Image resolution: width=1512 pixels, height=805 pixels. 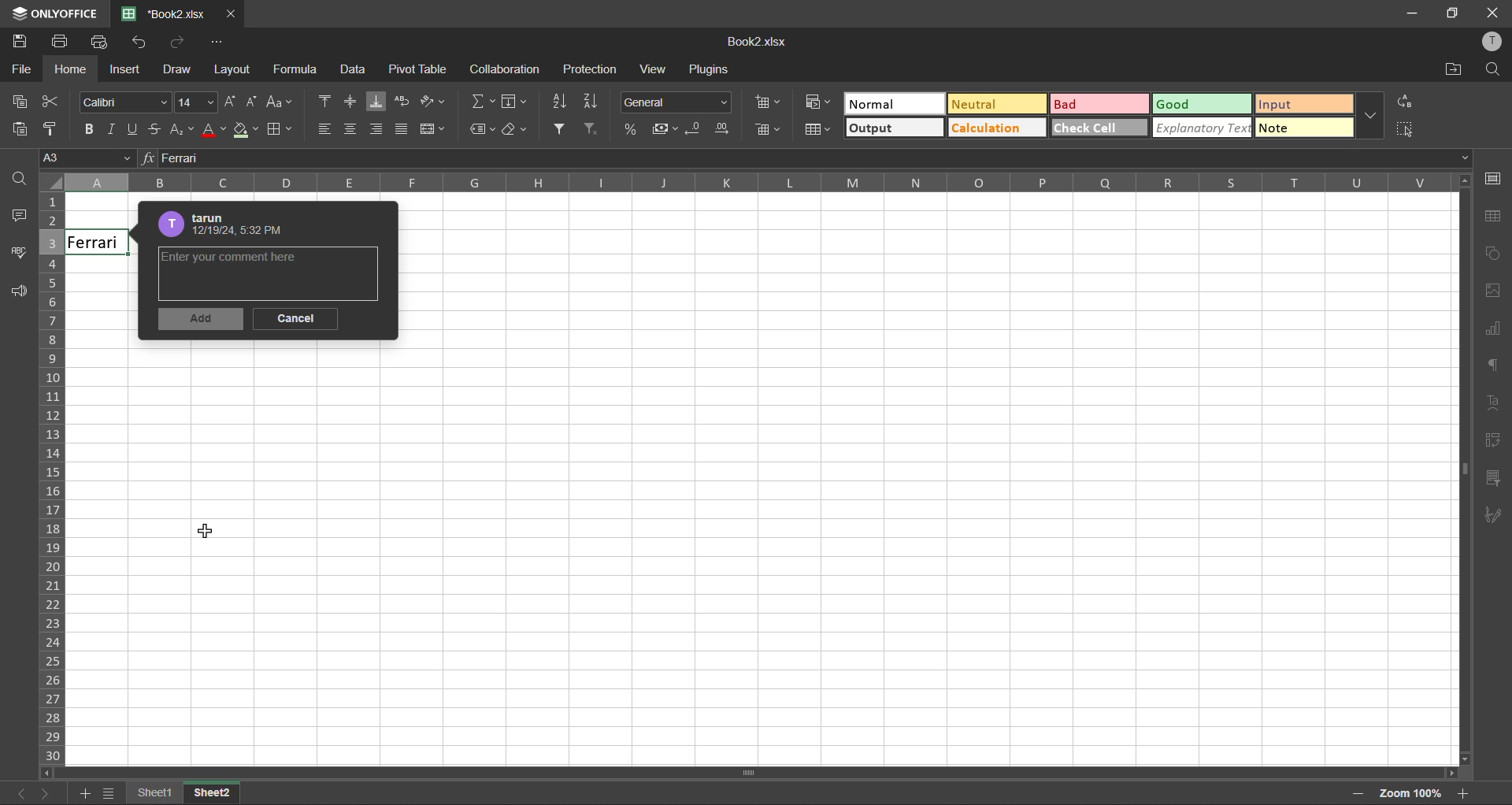 What do you see at coordinates (1495, 256) in the screenshot?
I see `shapes` at bounding box center [1495, 256].